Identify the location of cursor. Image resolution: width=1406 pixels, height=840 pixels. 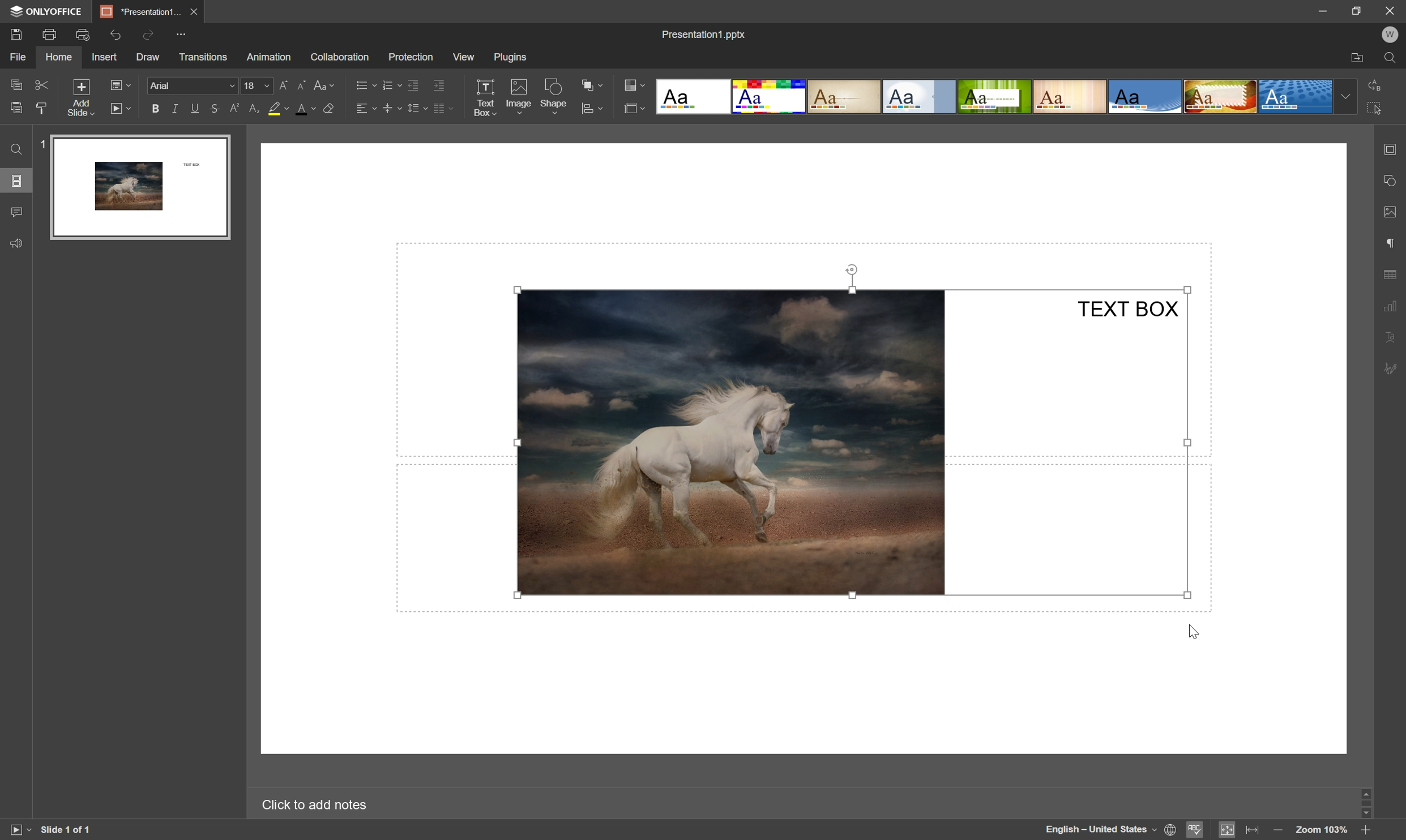
(1194, 632).